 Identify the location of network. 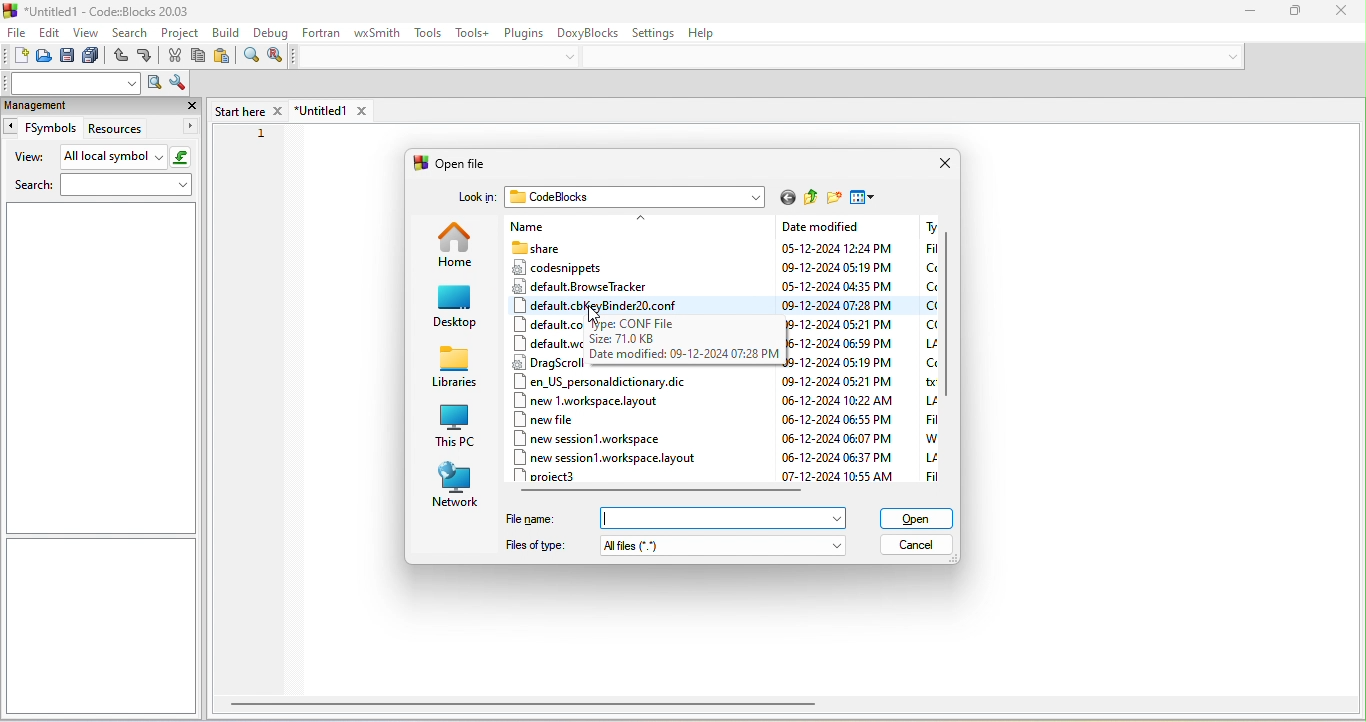
(457, 484).